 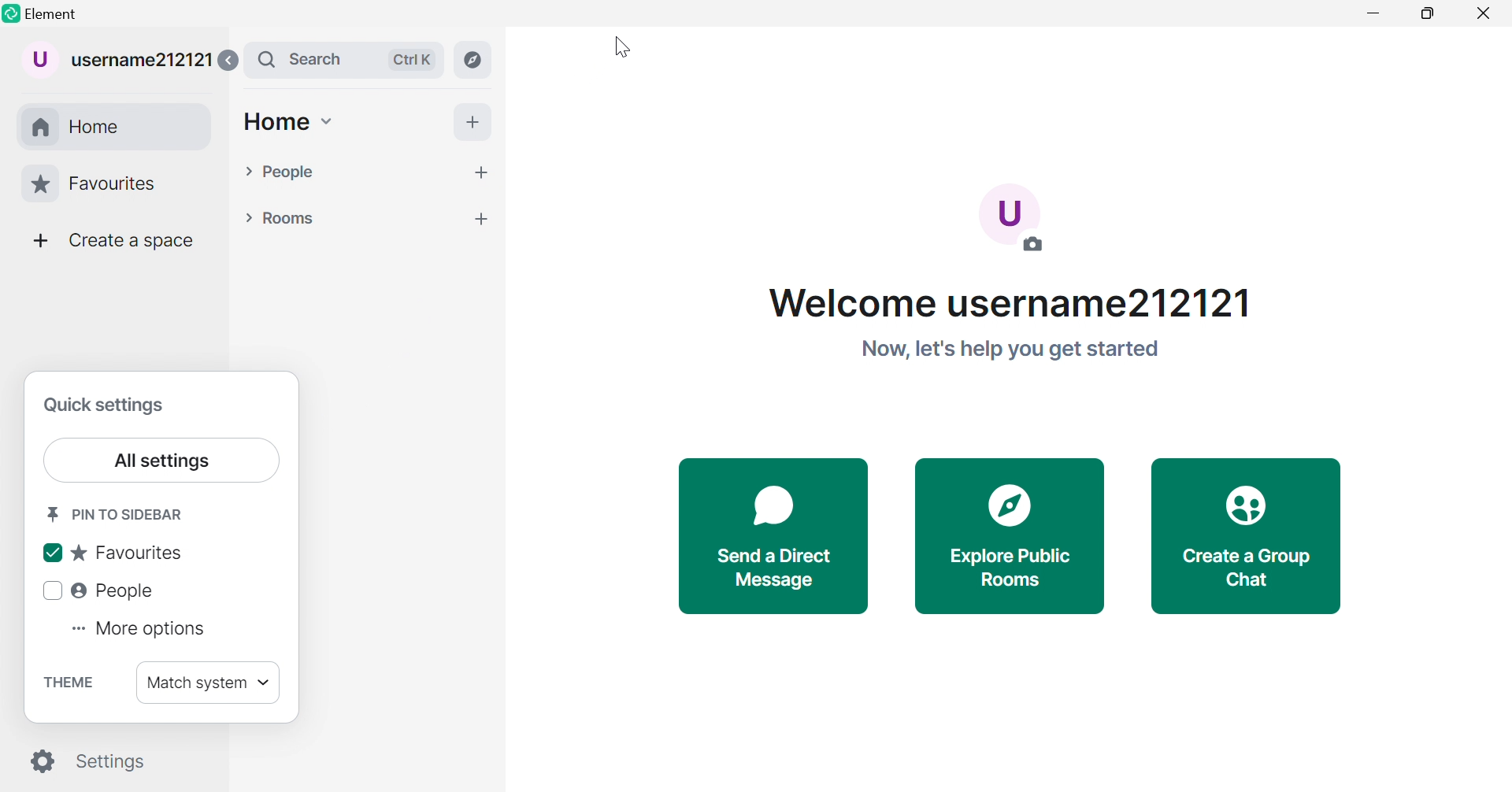 I want to click on Home, so click(x=288, y=124).